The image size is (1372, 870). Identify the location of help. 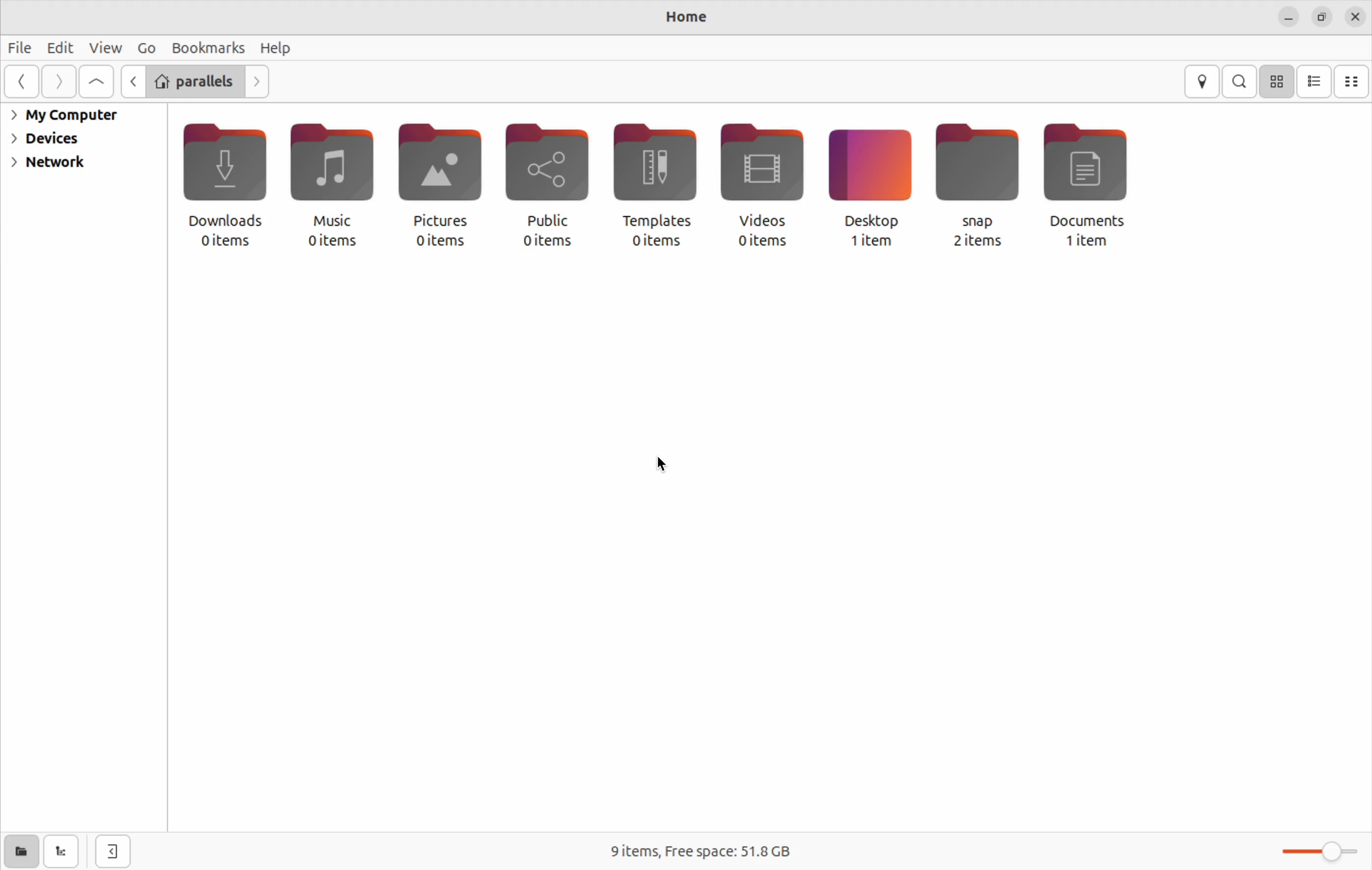
(276, 48).